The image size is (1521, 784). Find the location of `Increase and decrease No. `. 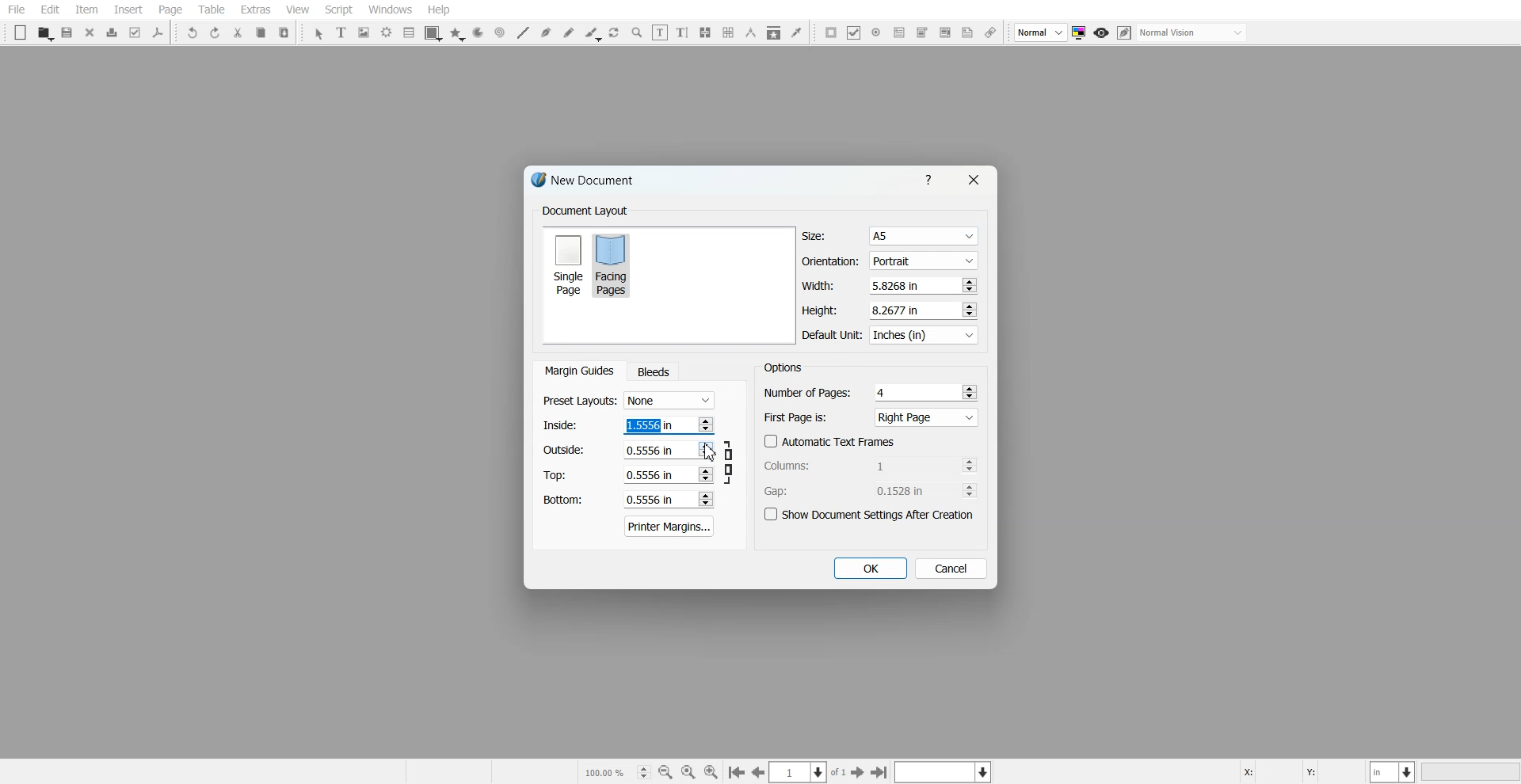

Increase and decrease No.  is located at coordinates (967, 310).